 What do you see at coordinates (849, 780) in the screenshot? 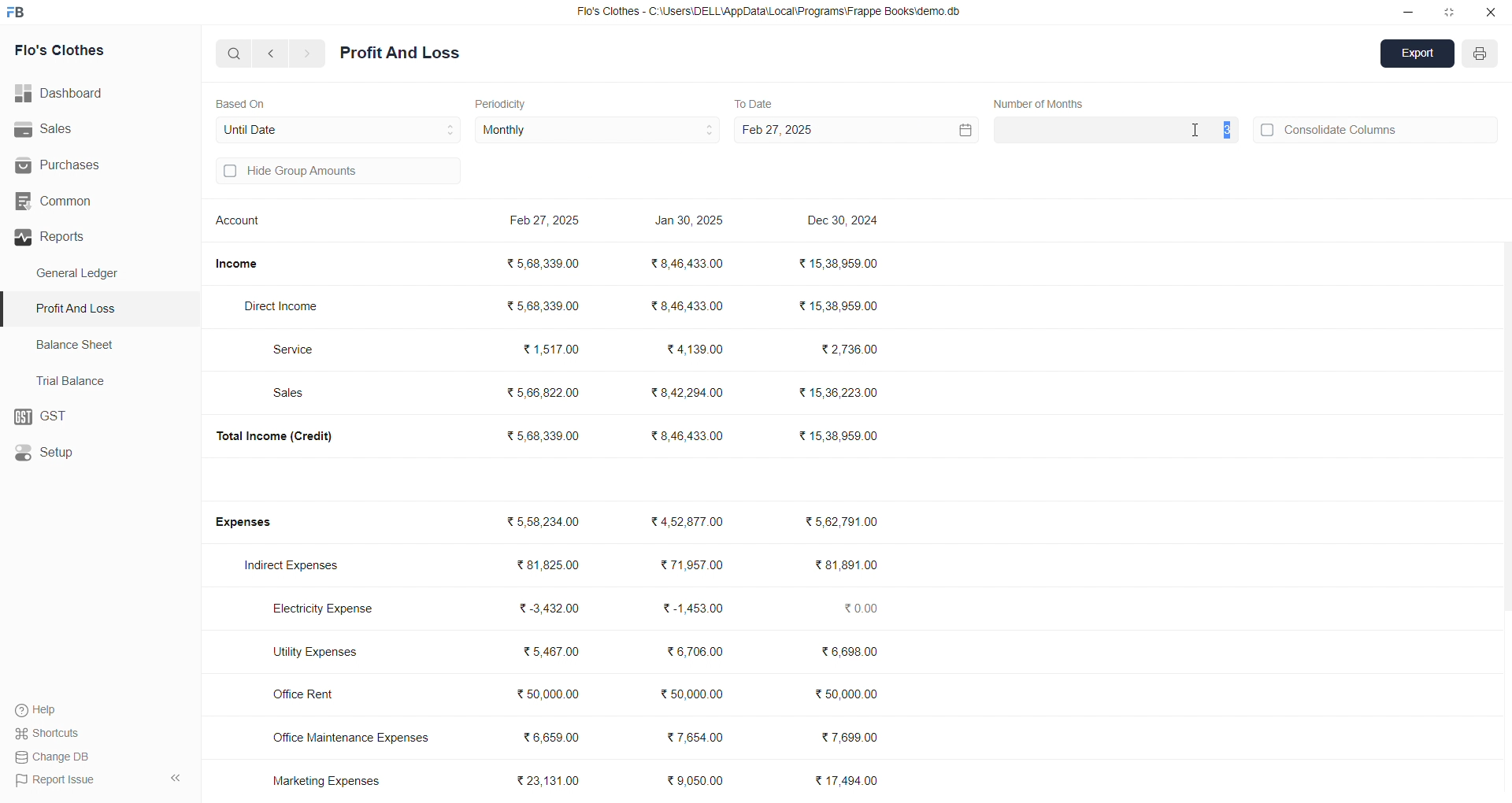
I see `₹ 17,494.00` at bounding box center [849, 780].